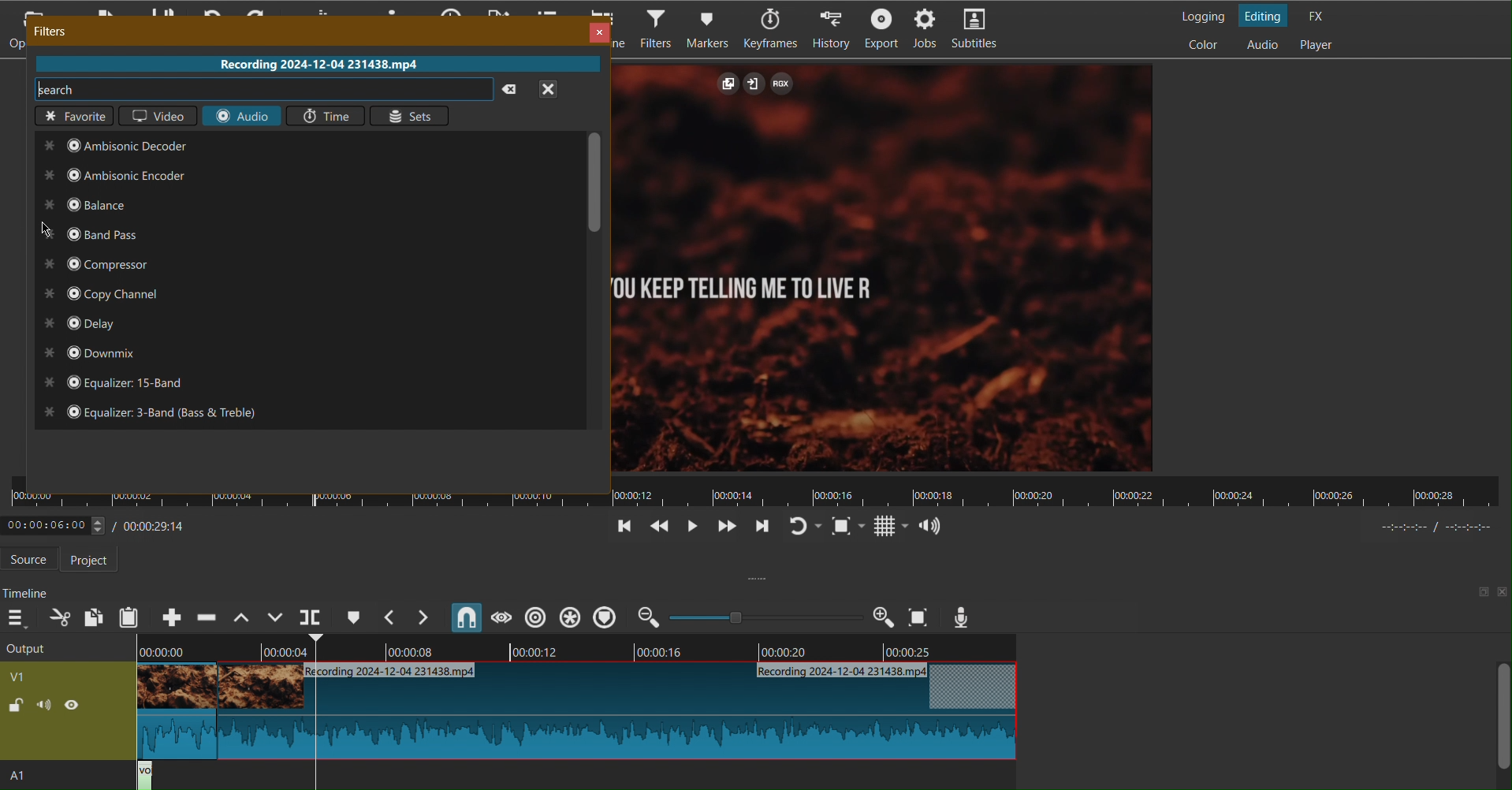  I want to click on Move Forwards, so click(725, 528).